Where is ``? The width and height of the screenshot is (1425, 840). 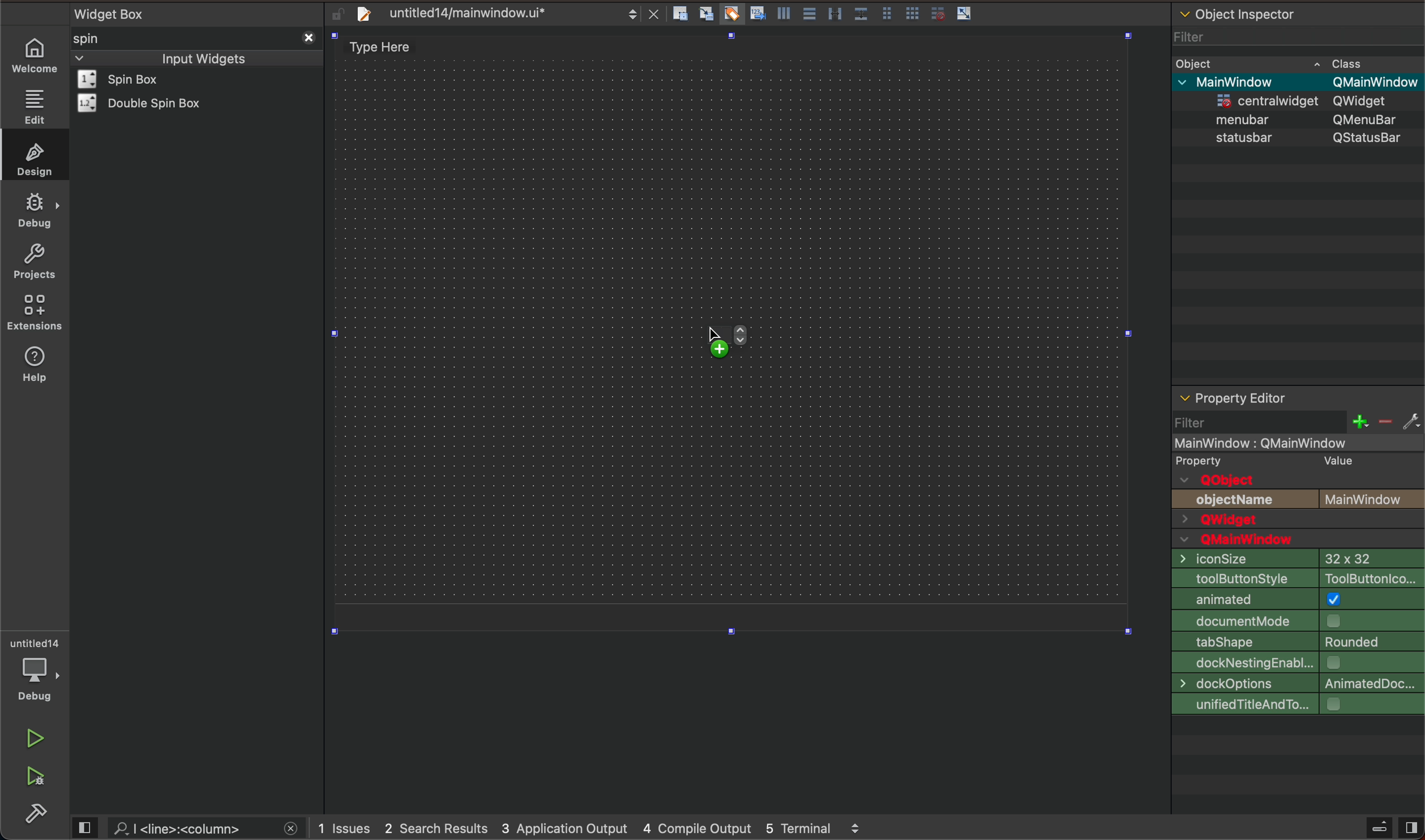  is located at coordinates (1368, 119).